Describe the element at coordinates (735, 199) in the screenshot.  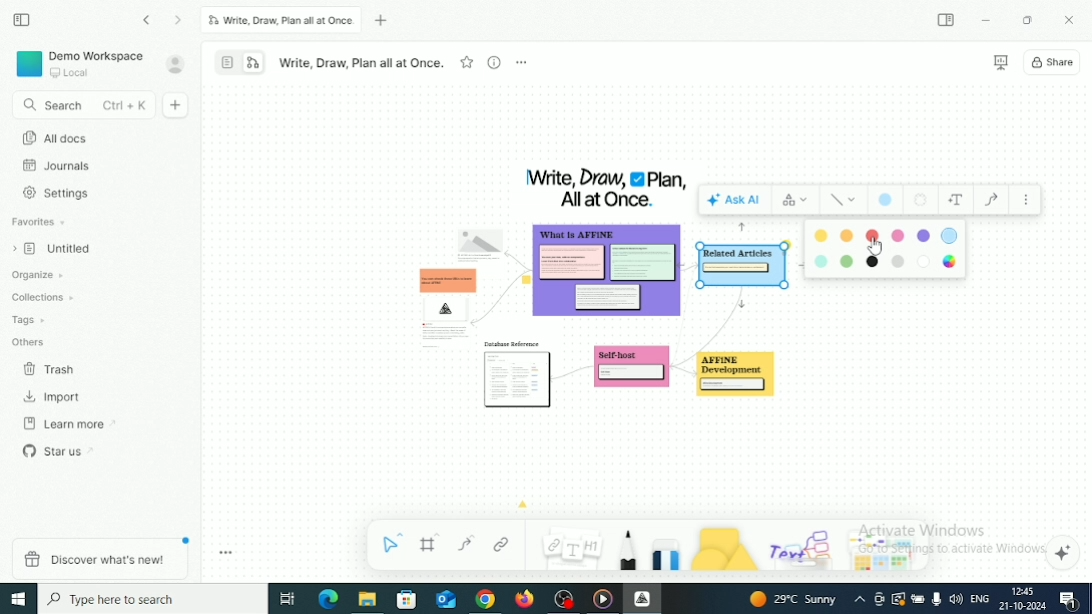
I see `Ask AI` at that location.